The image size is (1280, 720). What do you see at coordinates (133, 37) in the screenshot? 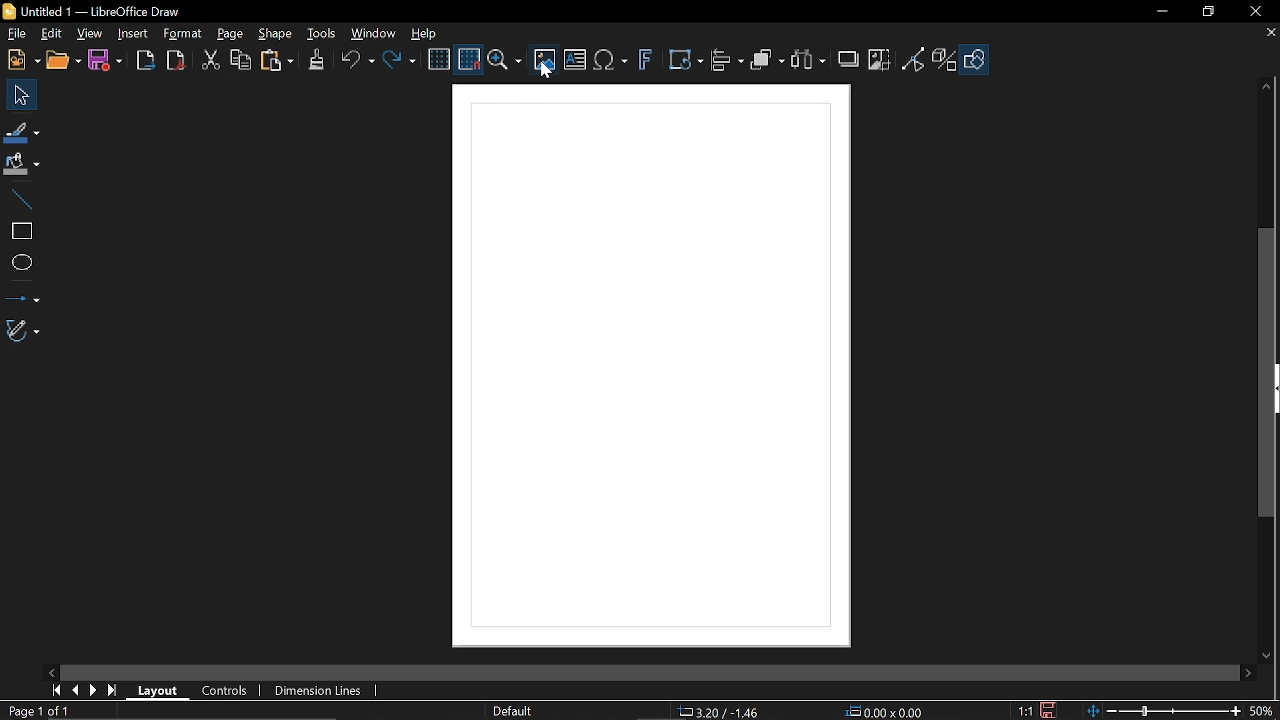
I see `Insert` at bounding box center [133, 37].